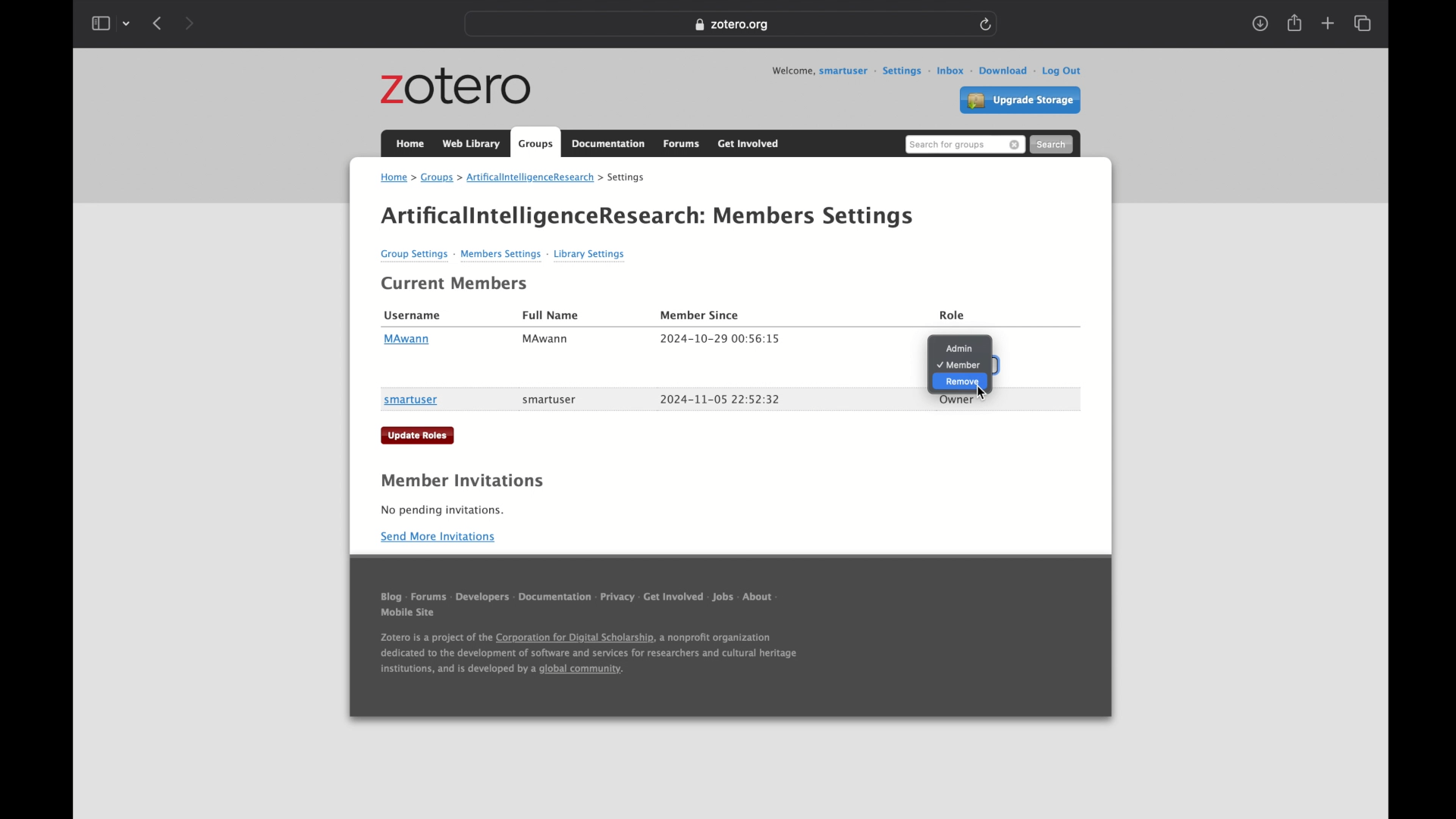 This screenshot has width=1456, height=819. What do you see at coordinates (589, 255) in the screenshot?
I see `library settings` at bounding box center [589, 255].